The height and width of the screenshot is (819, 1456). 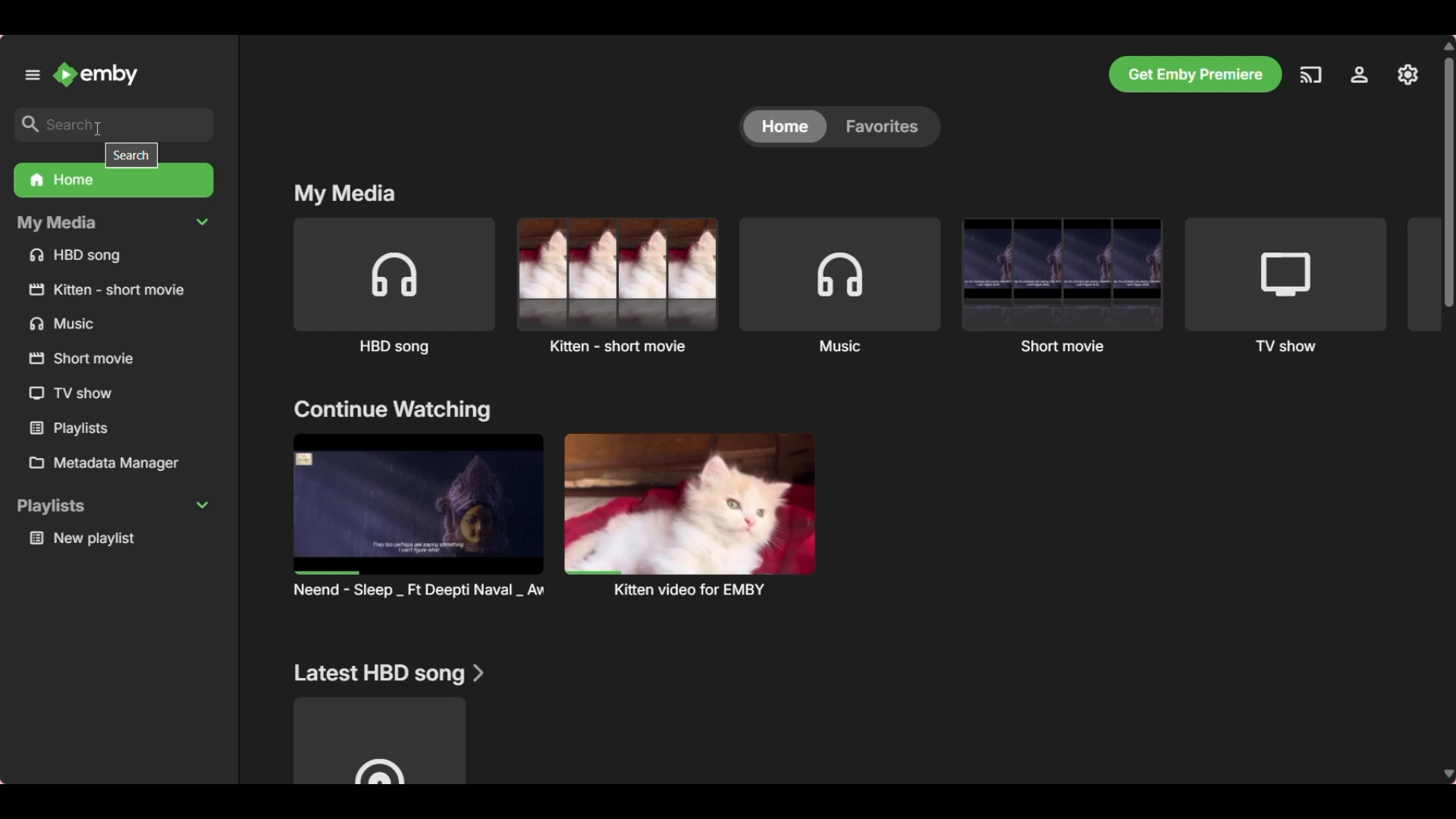 What do you see at coordinates (96, 74) in the screenshot?
I see `Go to home` at bounding box center [96, 74].